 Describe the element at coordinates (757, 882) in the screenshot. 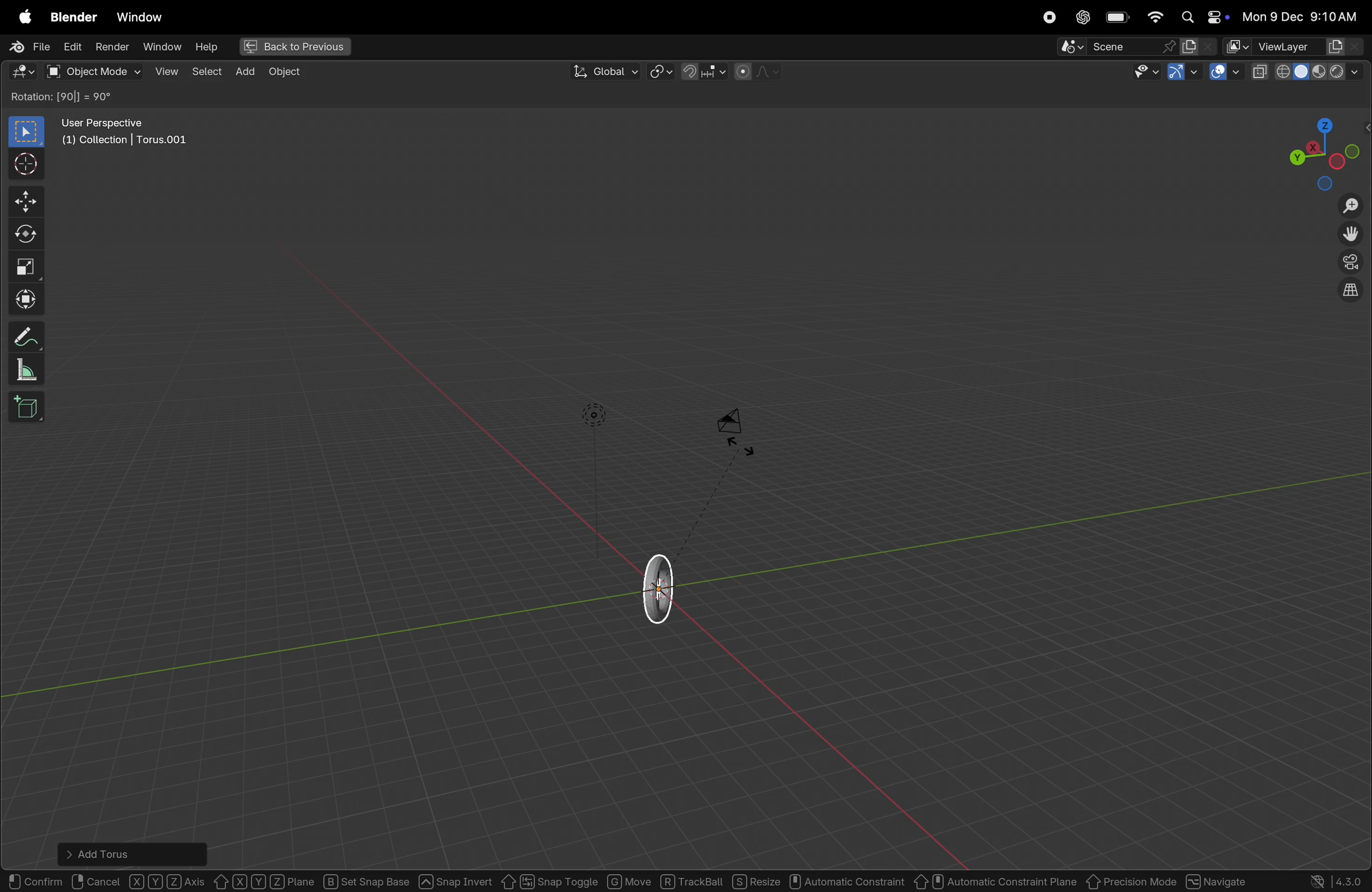

I see `resize` at that location.